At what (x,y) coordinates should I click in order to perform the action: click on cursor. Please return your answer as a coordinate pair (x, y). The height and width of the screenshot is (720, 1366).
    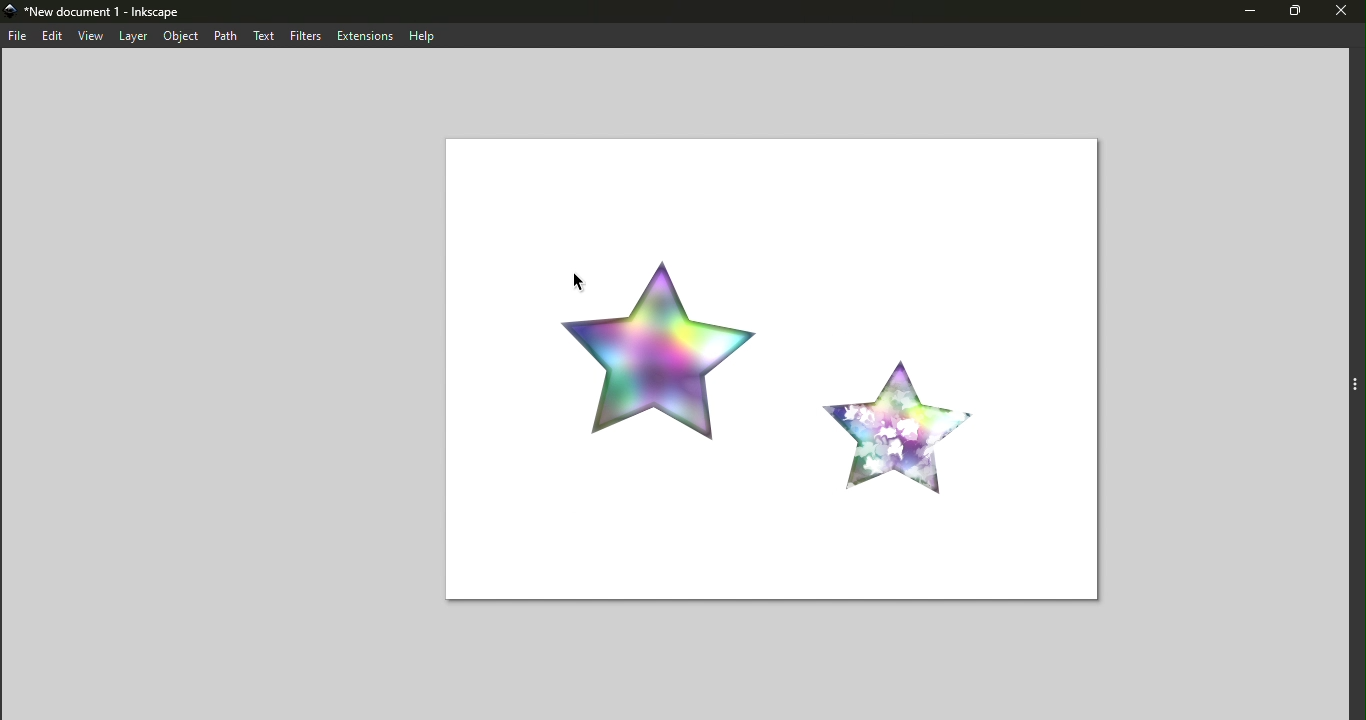
    Looking at the image, I should click on (583, 281).